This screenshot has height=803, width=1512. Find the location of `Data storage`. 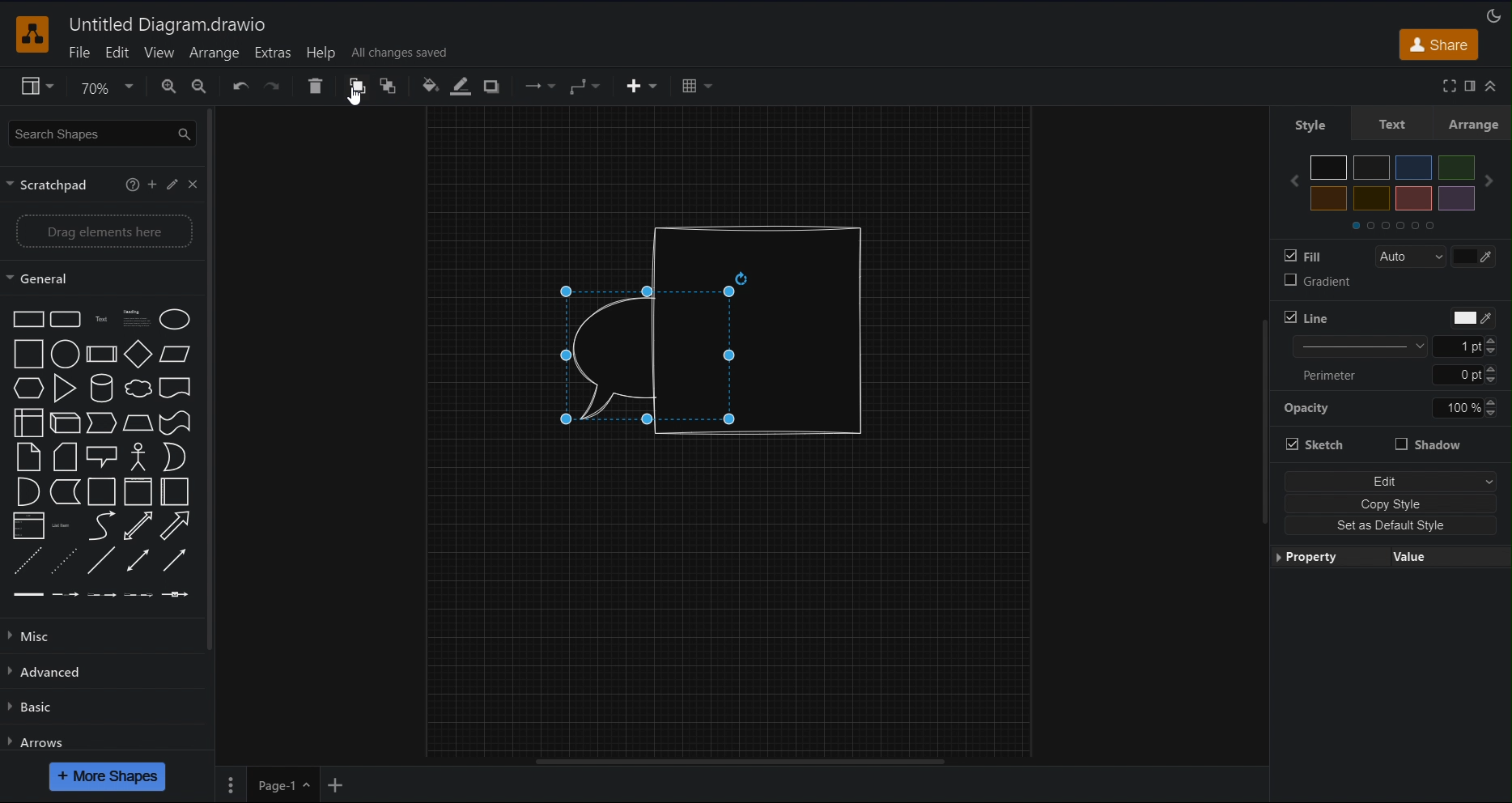

Data storage is located at coordinates (65, 492).